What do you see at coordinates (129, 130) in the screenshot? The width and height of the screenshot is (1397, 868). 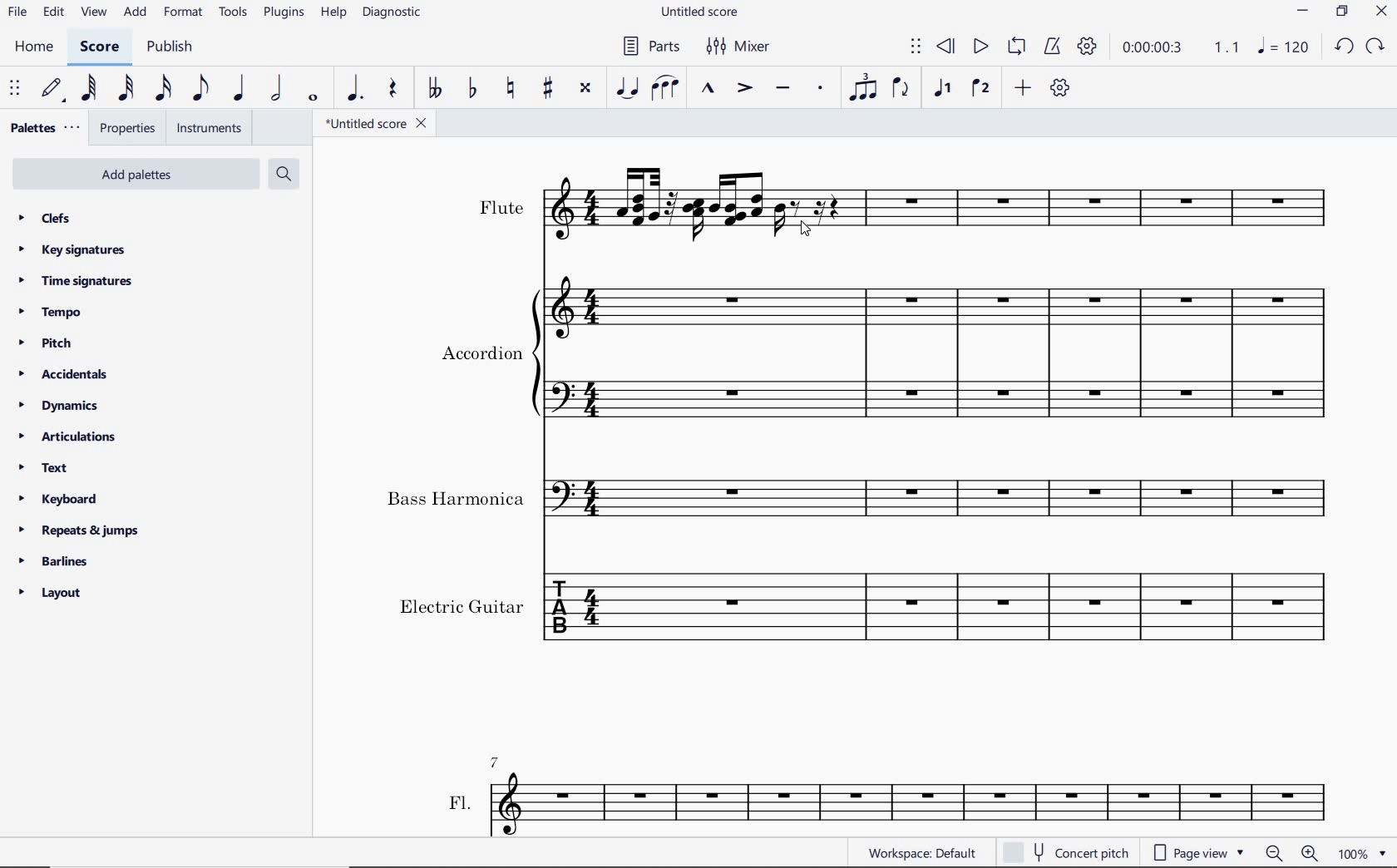 I see `properties` at bounding box center [129, 130].